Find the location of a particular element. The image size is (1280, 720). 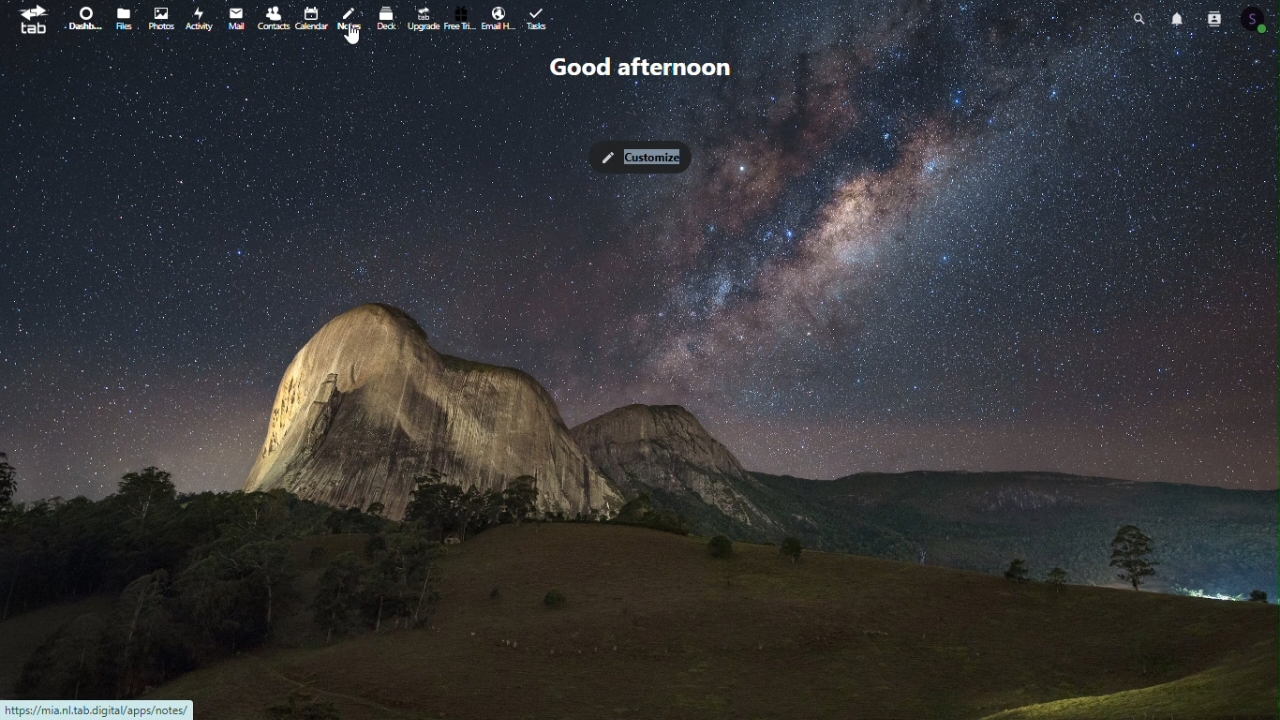

Files is located at coordinates (124, 15).